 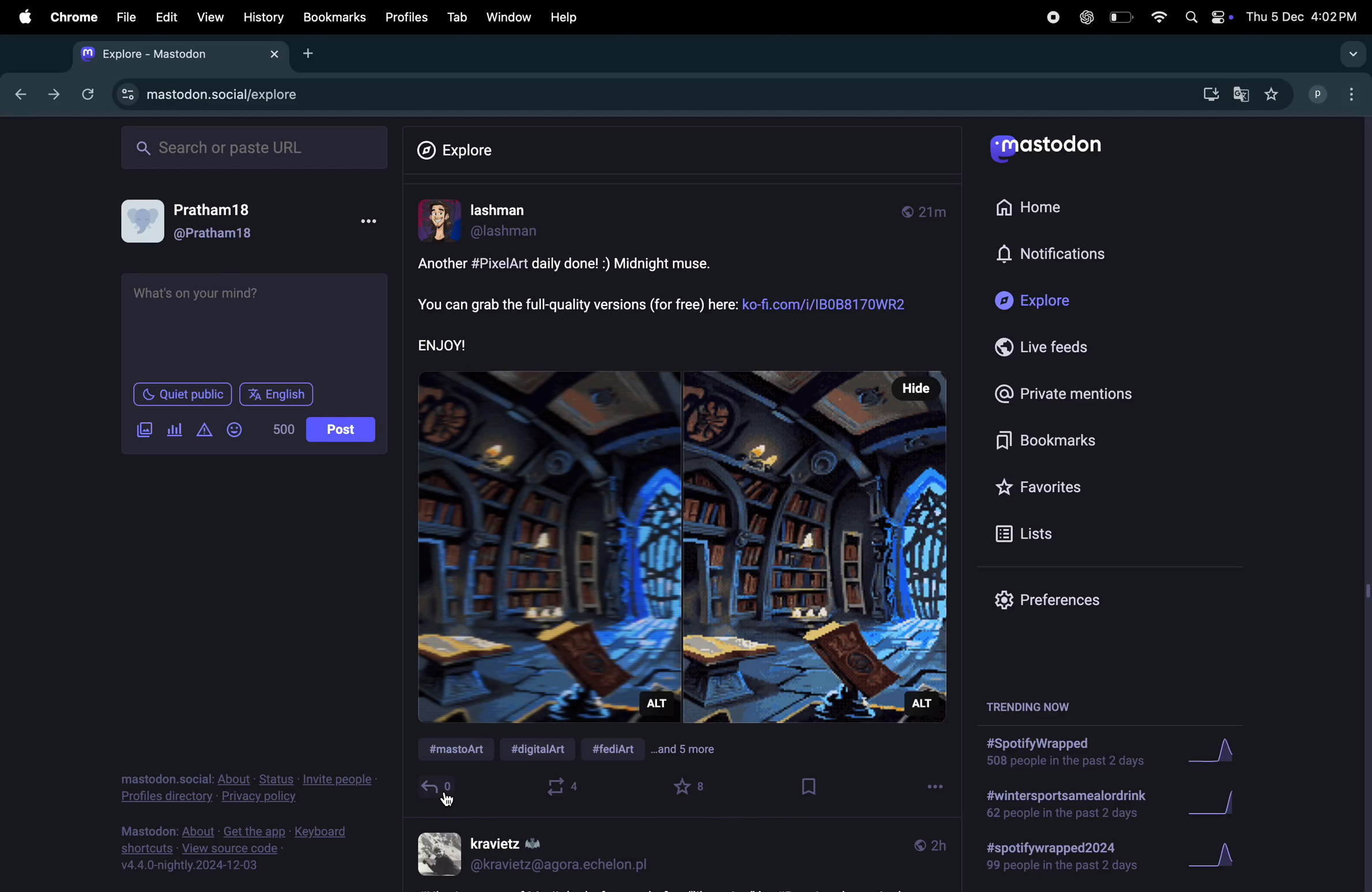 I want to click on english, so click(x=280, y=395).